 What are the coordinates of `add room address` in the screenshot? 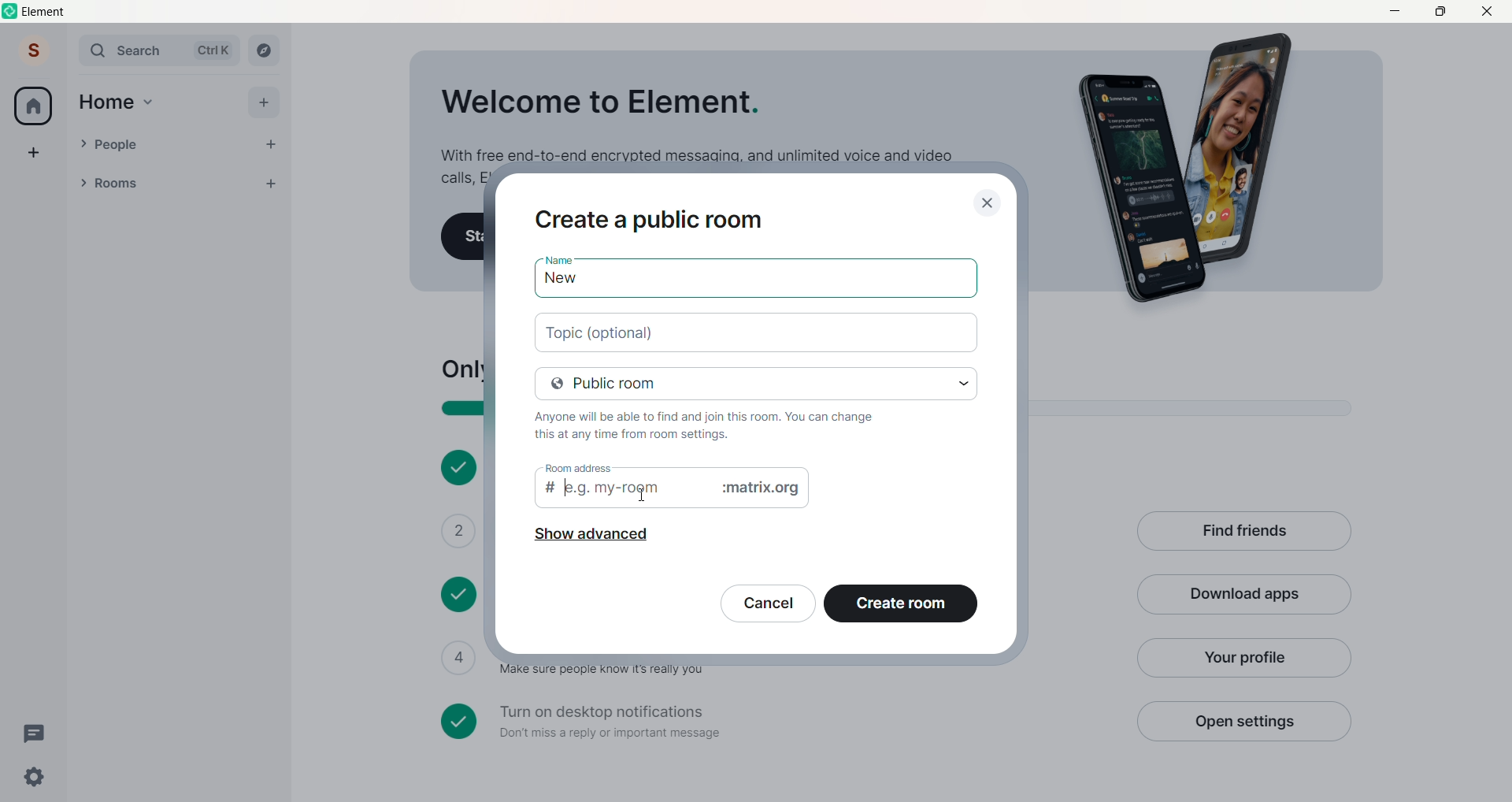 It's located at (673, 492).